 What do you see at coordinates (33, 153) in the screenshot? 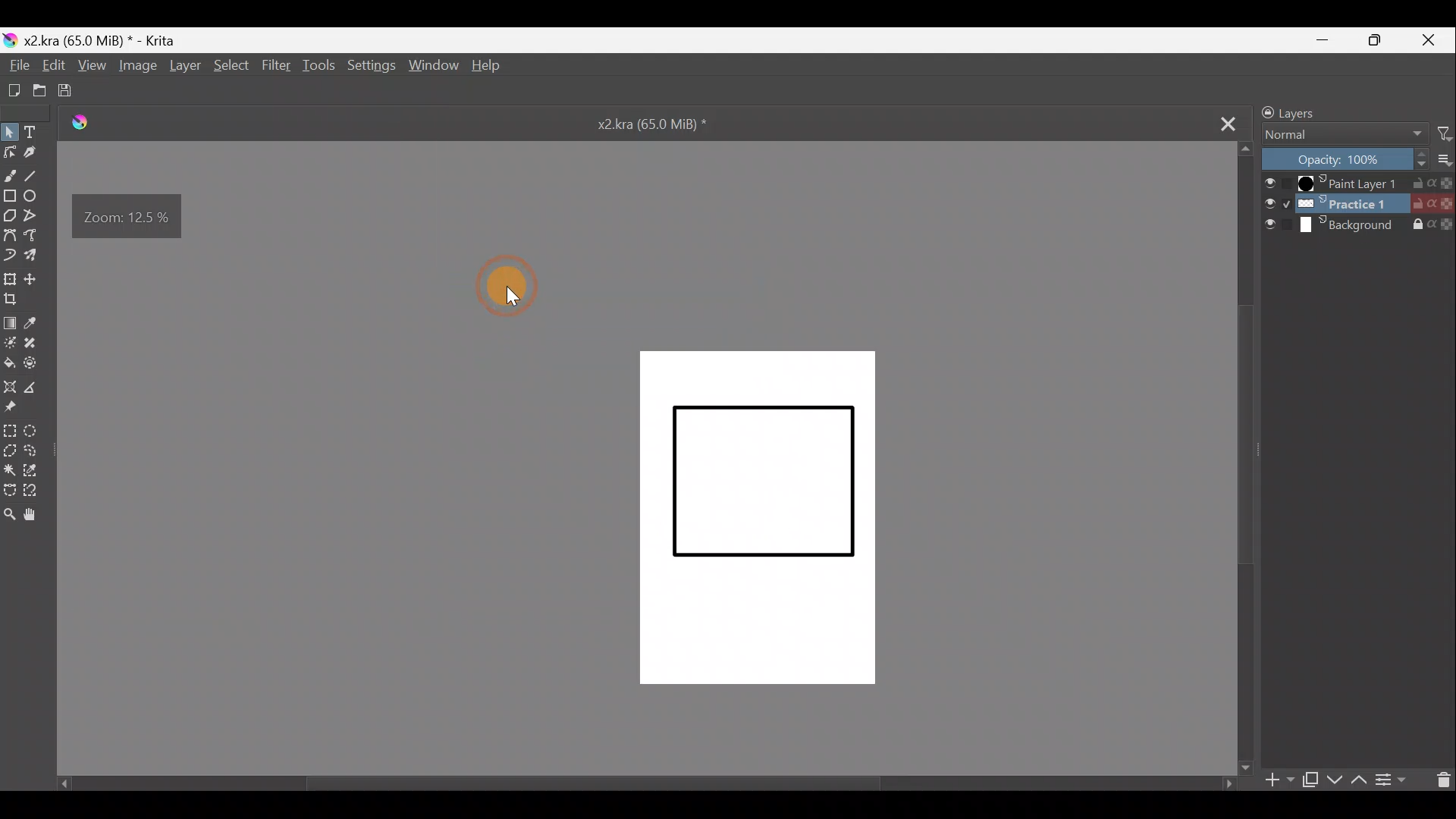
I see `Calligraphy` at bounding box center [33, 153].